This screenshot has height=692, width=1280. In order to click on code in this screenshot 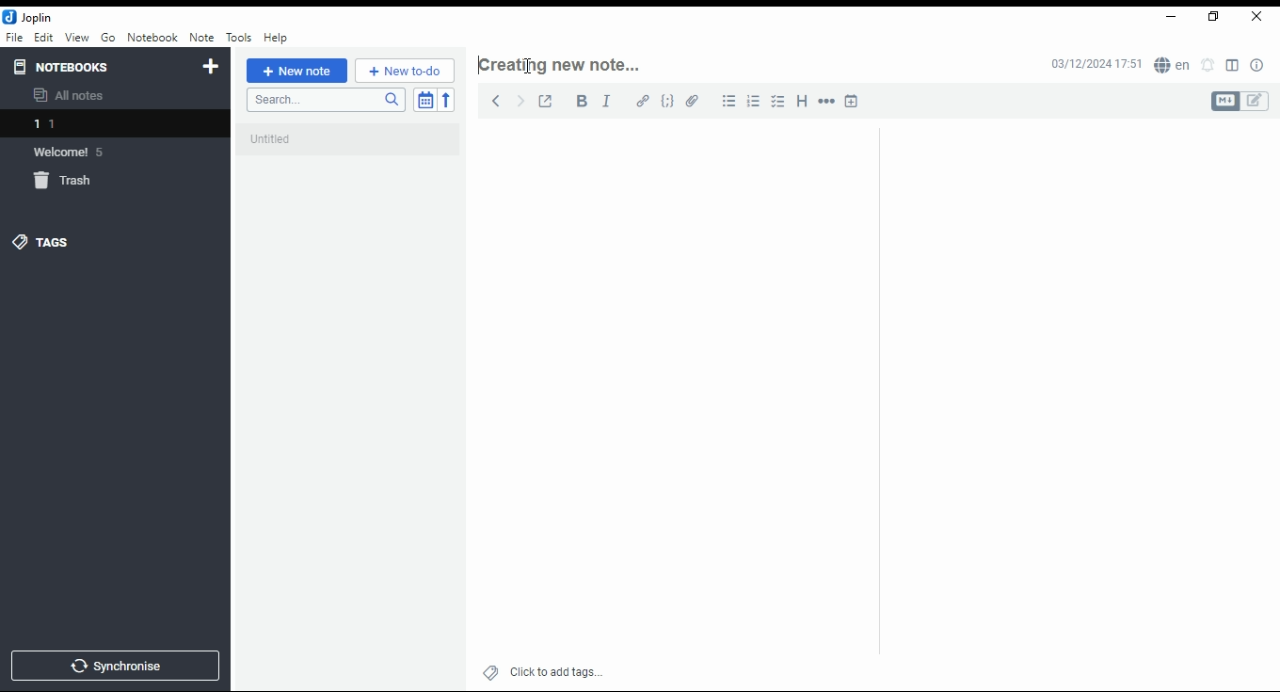, I will do `click(669, 103)`.